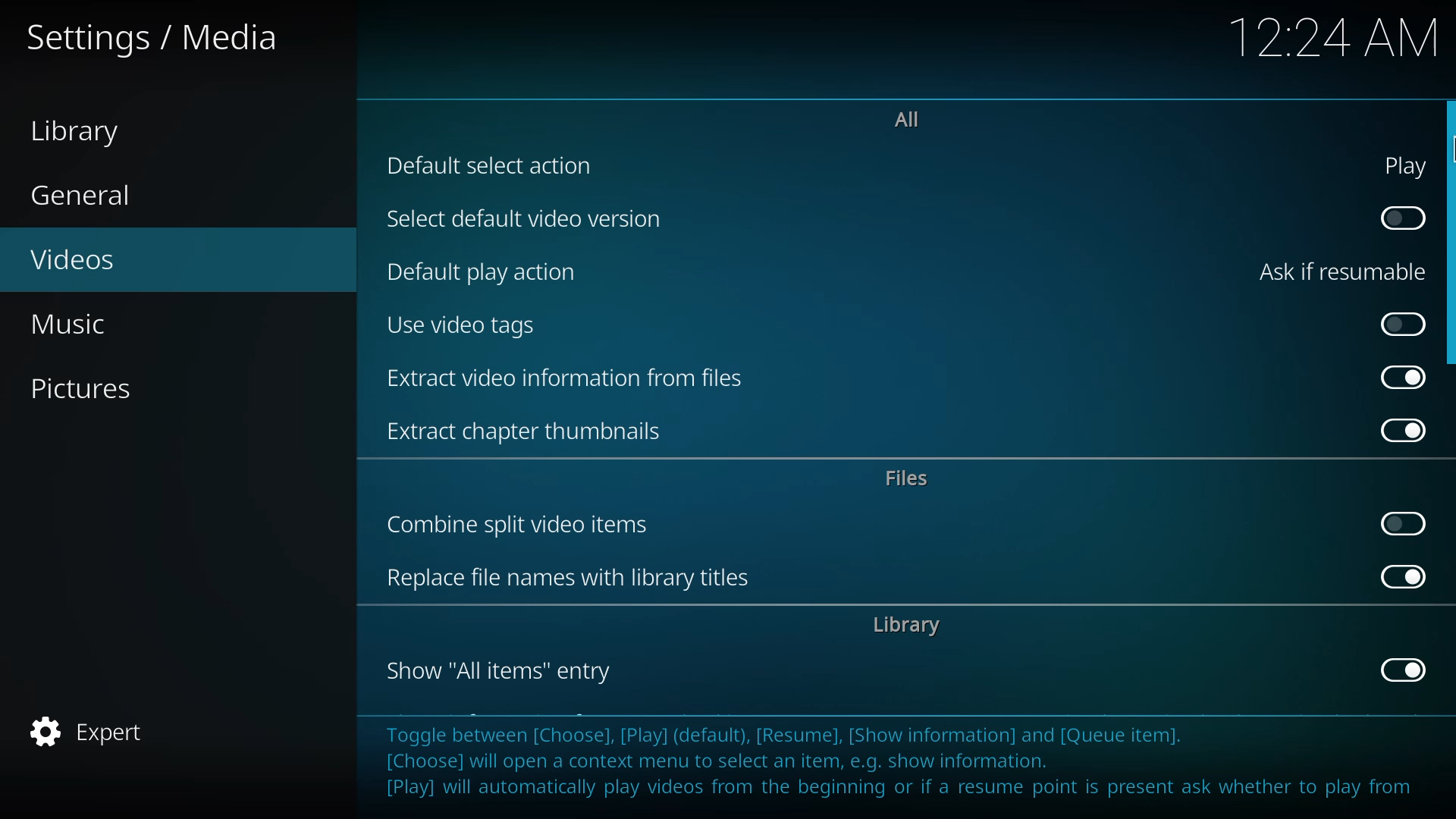 The width and height of the screenshot is (1456, 819). What do you see at coordinates (908, 117) in the screenshot?
I see `all` at bounding box center [908, 117].